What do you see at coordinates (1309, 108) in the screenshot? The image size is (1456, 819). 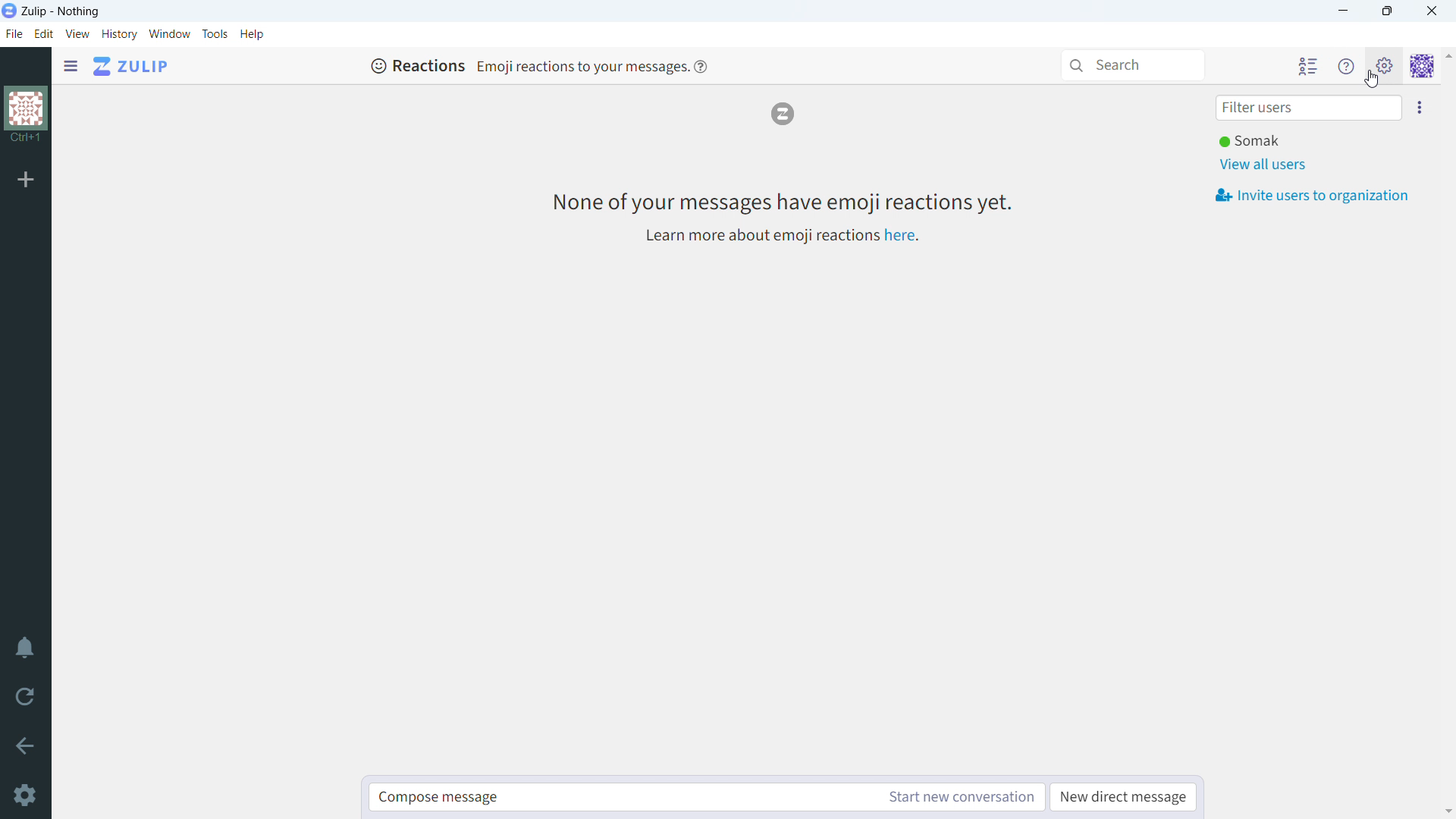 I see `filter users` at bounding box center [1309, 108].